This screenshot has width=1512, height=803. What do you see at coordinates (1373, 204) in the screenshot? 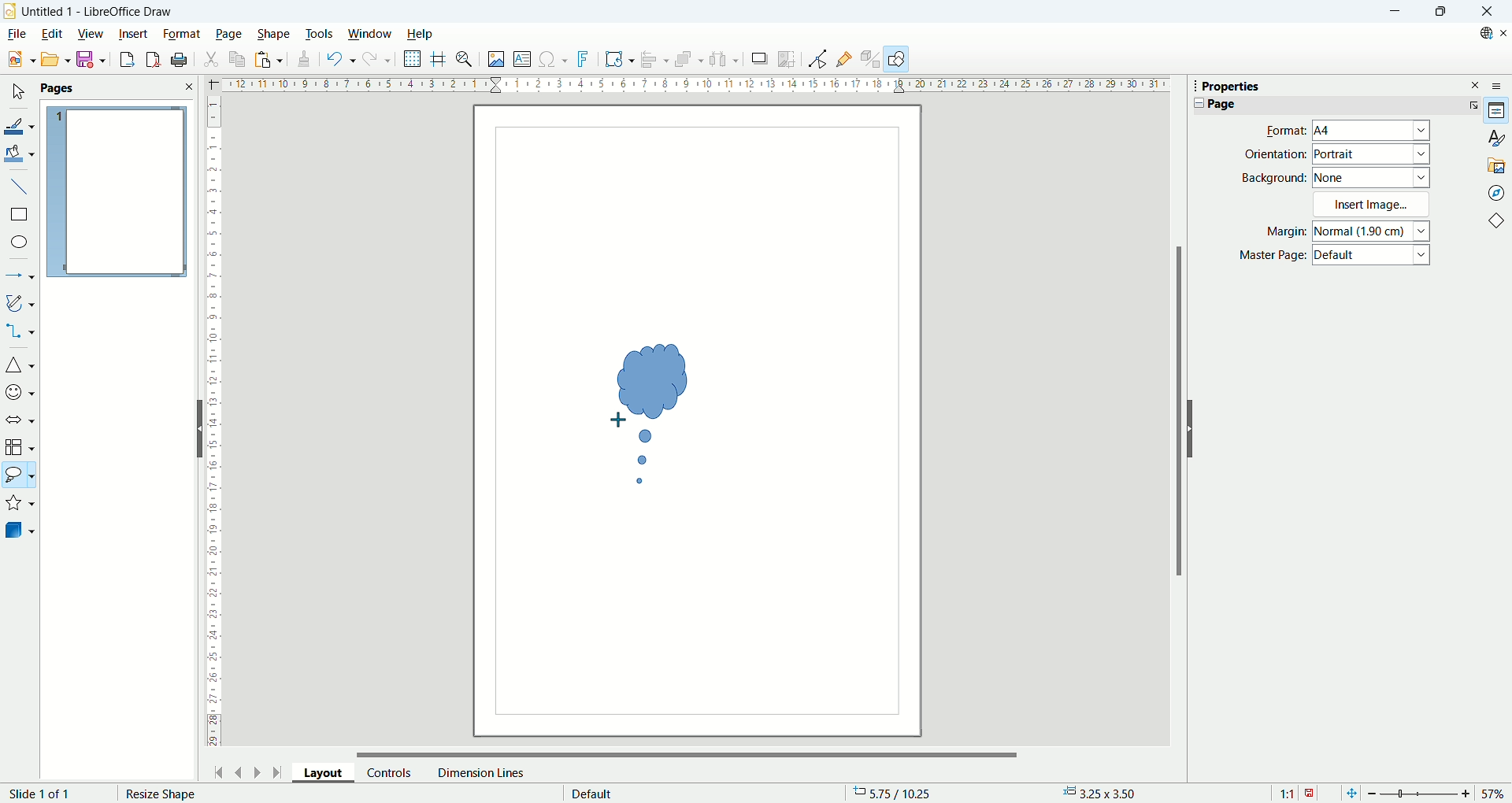
I see `Insert Image` at bounding box center [1373, 204].